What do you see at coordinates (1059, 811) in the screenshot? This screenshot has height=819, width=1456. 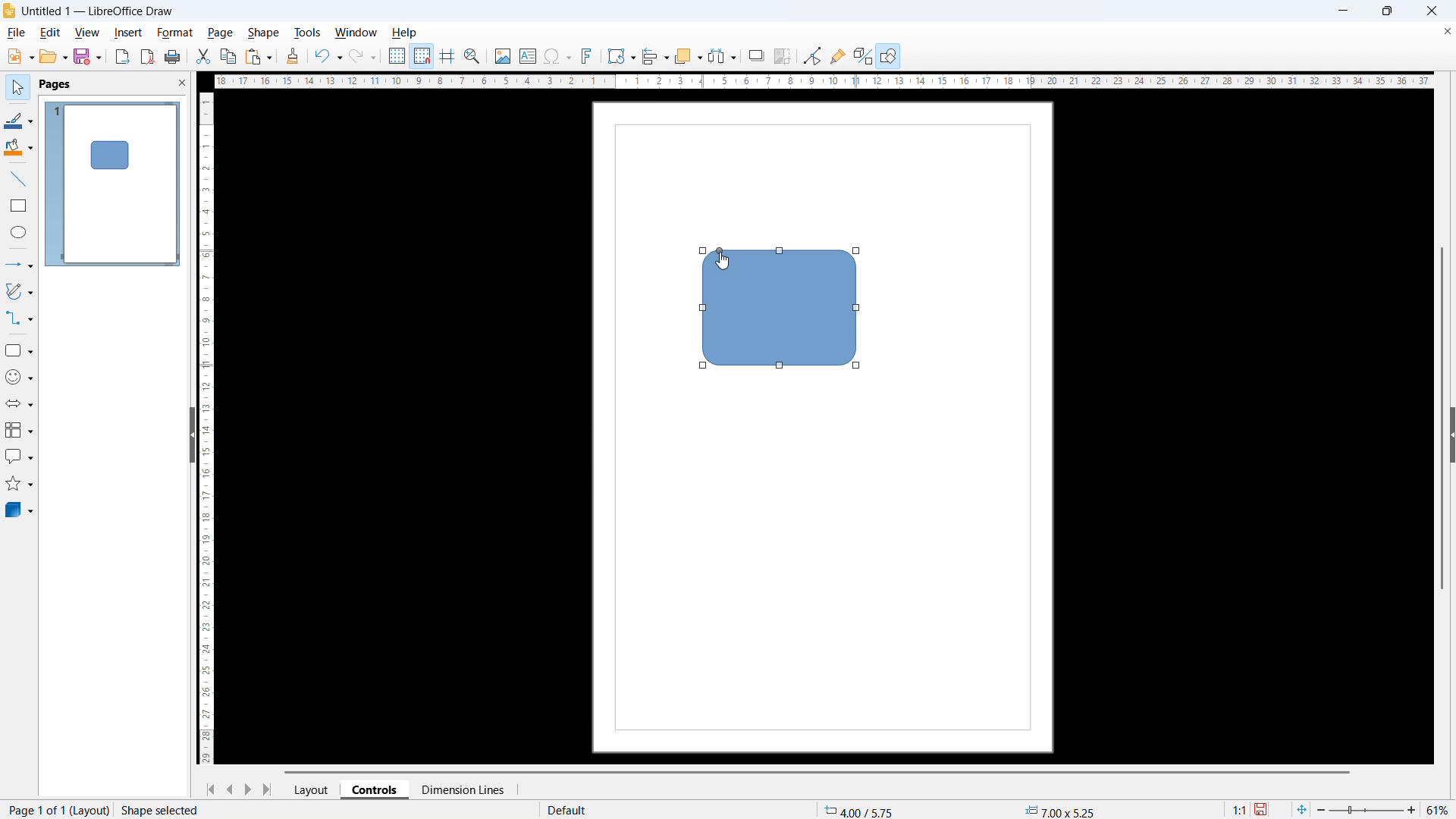 I see `7.00x5.25` at bounding box center [1059, 811].